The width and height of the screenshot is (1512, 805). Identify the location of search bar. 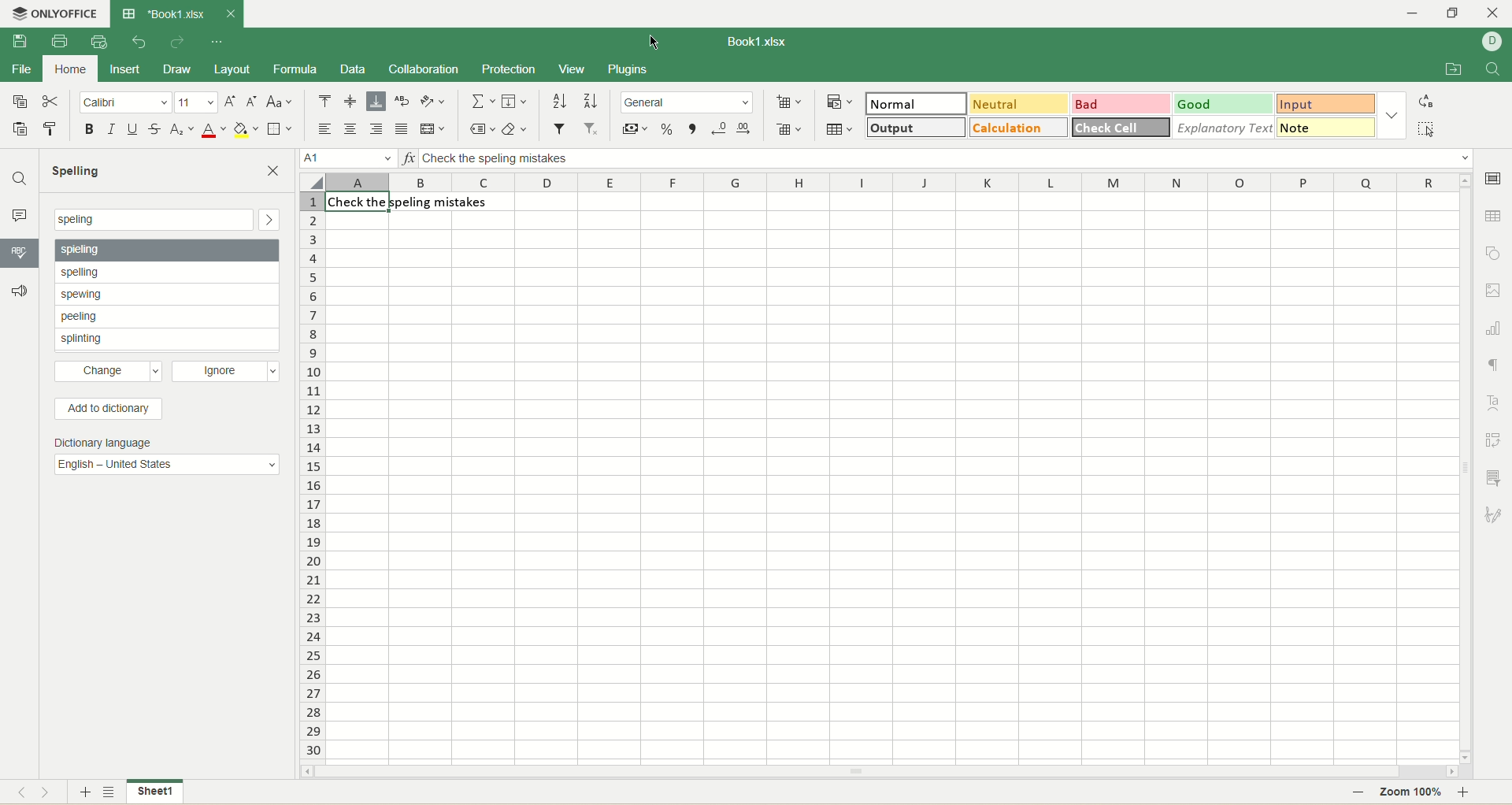
(165, 219).